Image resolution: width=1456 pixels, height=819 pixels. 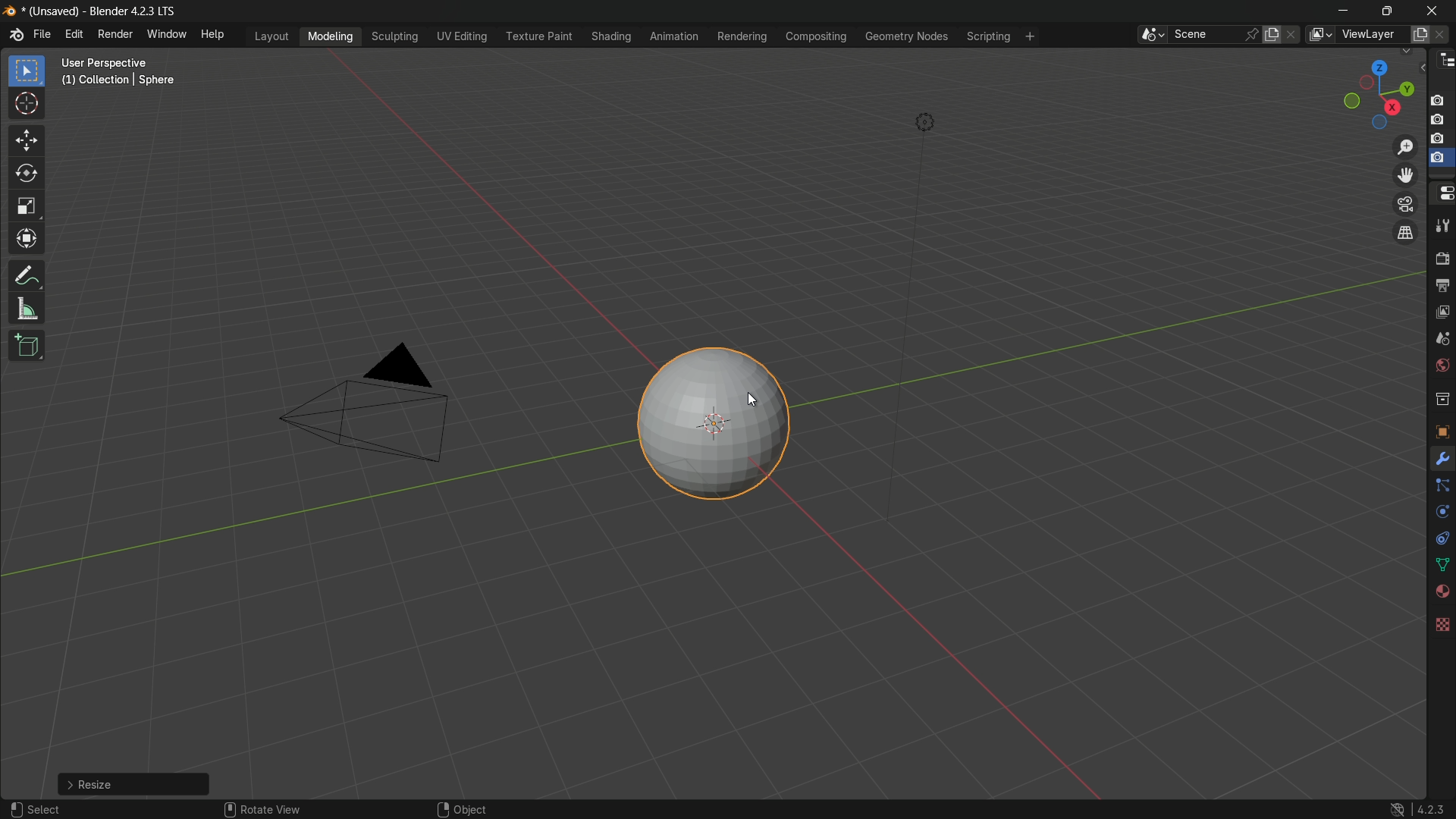 I want to click on outliner, so click(x=1444, y=64).